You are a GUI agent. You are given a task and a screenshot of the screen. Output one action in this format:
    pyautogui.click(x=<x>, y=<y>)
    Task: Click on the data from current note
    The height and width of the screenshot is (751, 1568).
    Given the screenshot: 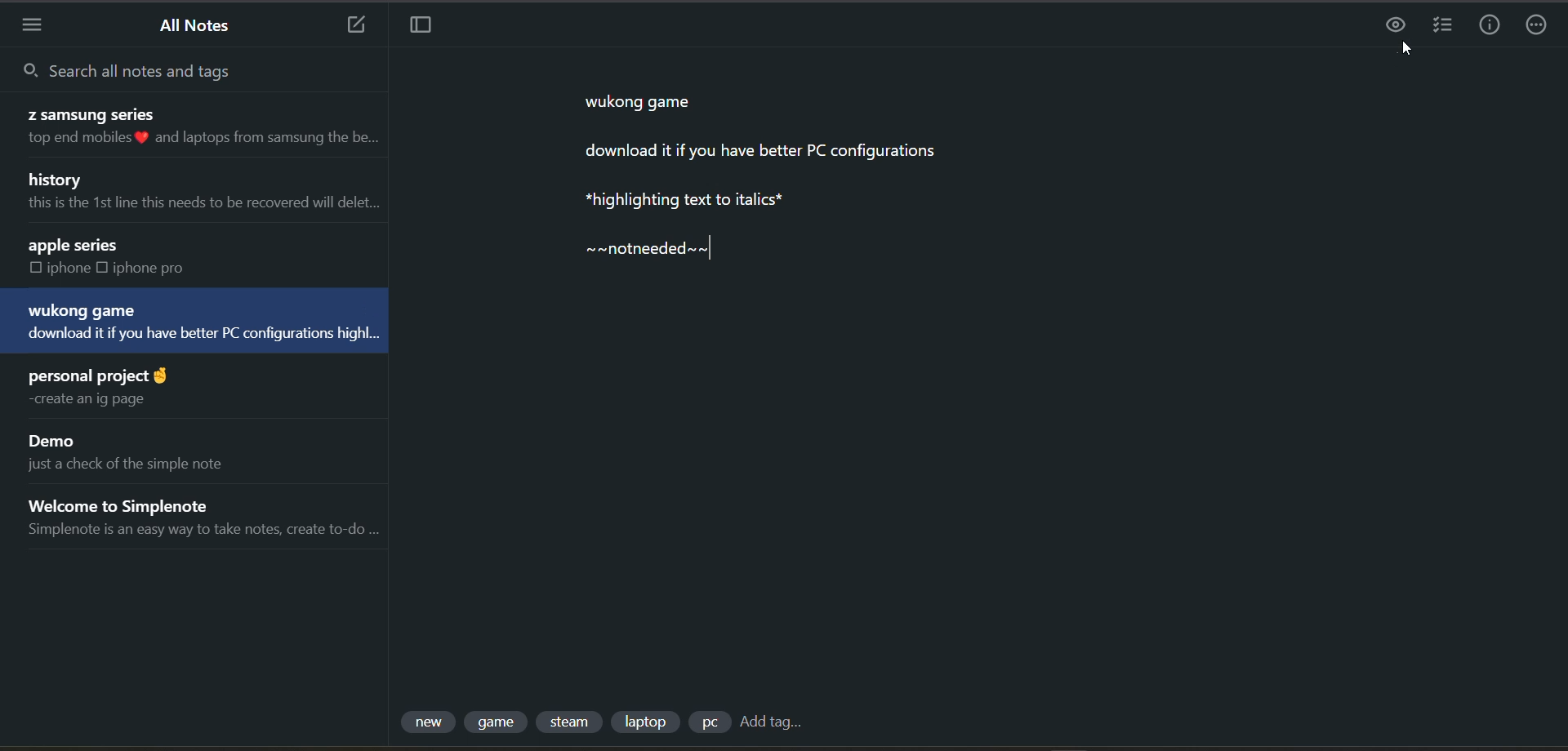 What is the action you would take?
    pyautogui.click(x=826, y=167)
    